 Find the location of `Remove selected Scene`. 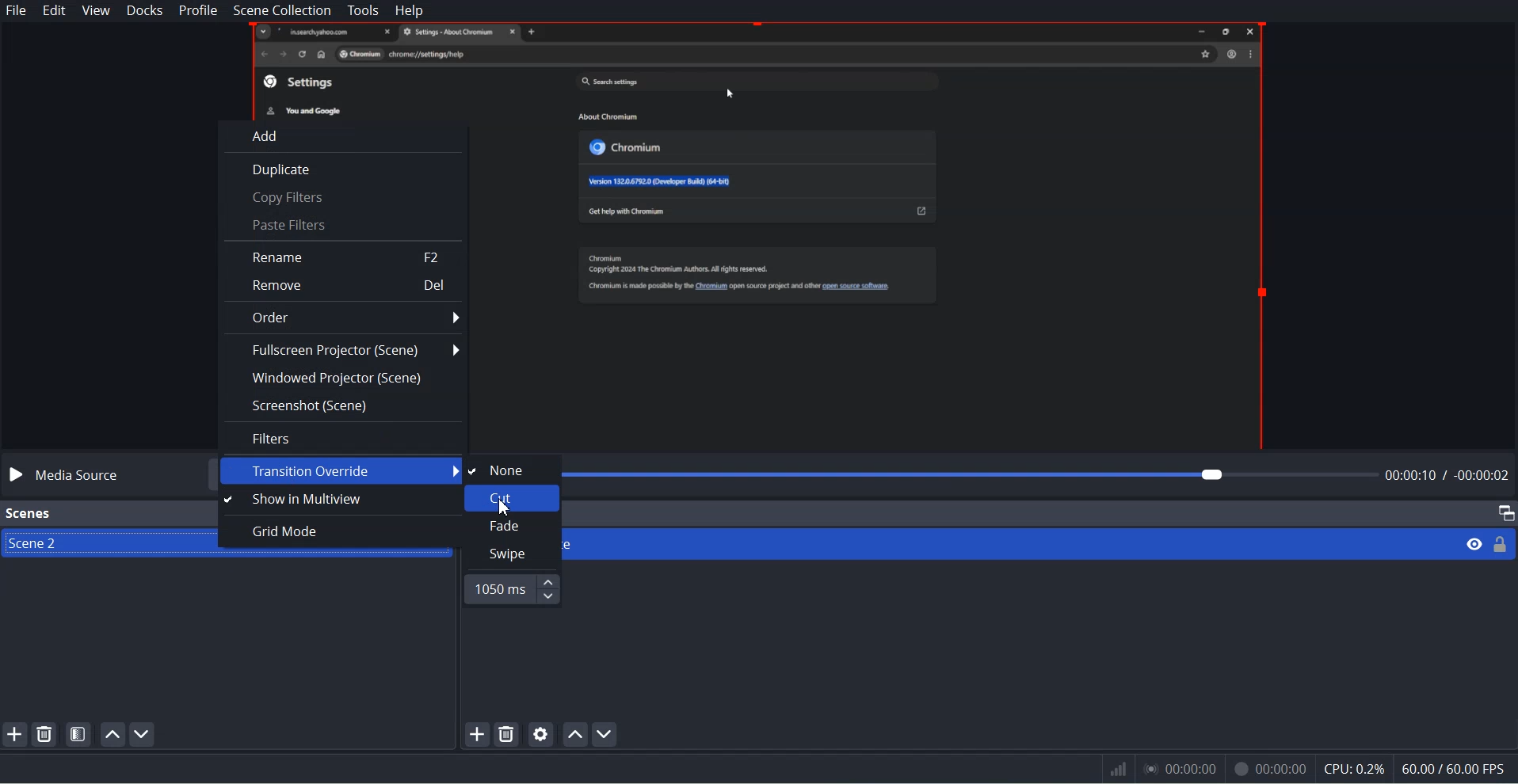

Remove selected Scene is located at coordinates (45, 733).